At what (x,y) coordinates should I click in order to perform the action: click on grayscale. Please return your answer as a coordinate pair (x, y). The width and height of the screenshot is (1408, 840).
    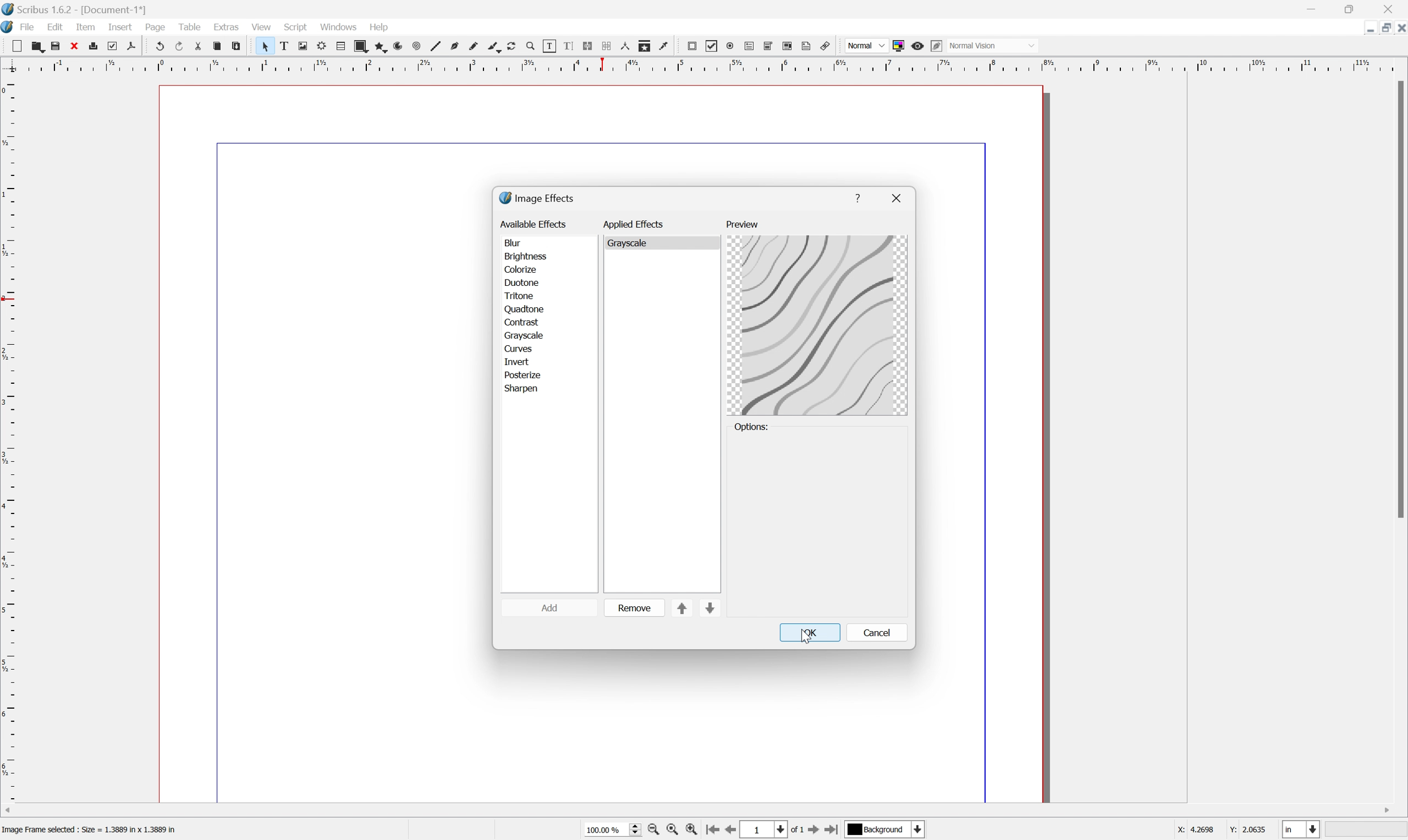
    Looking at the image, I should click on (633, 242).